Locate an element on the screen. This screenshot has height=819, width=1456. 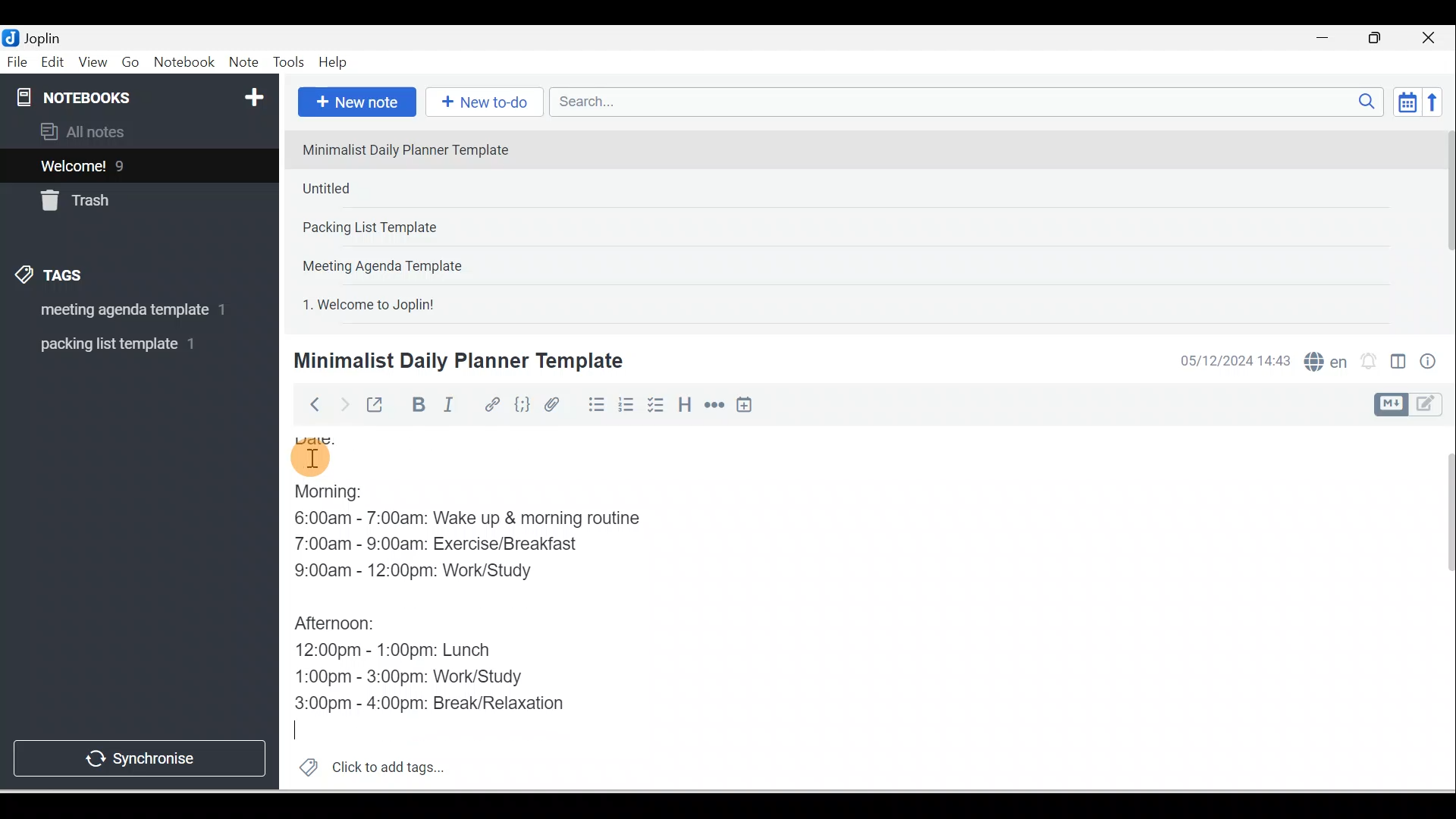
Checkbox is located at coordinates (654, 405).